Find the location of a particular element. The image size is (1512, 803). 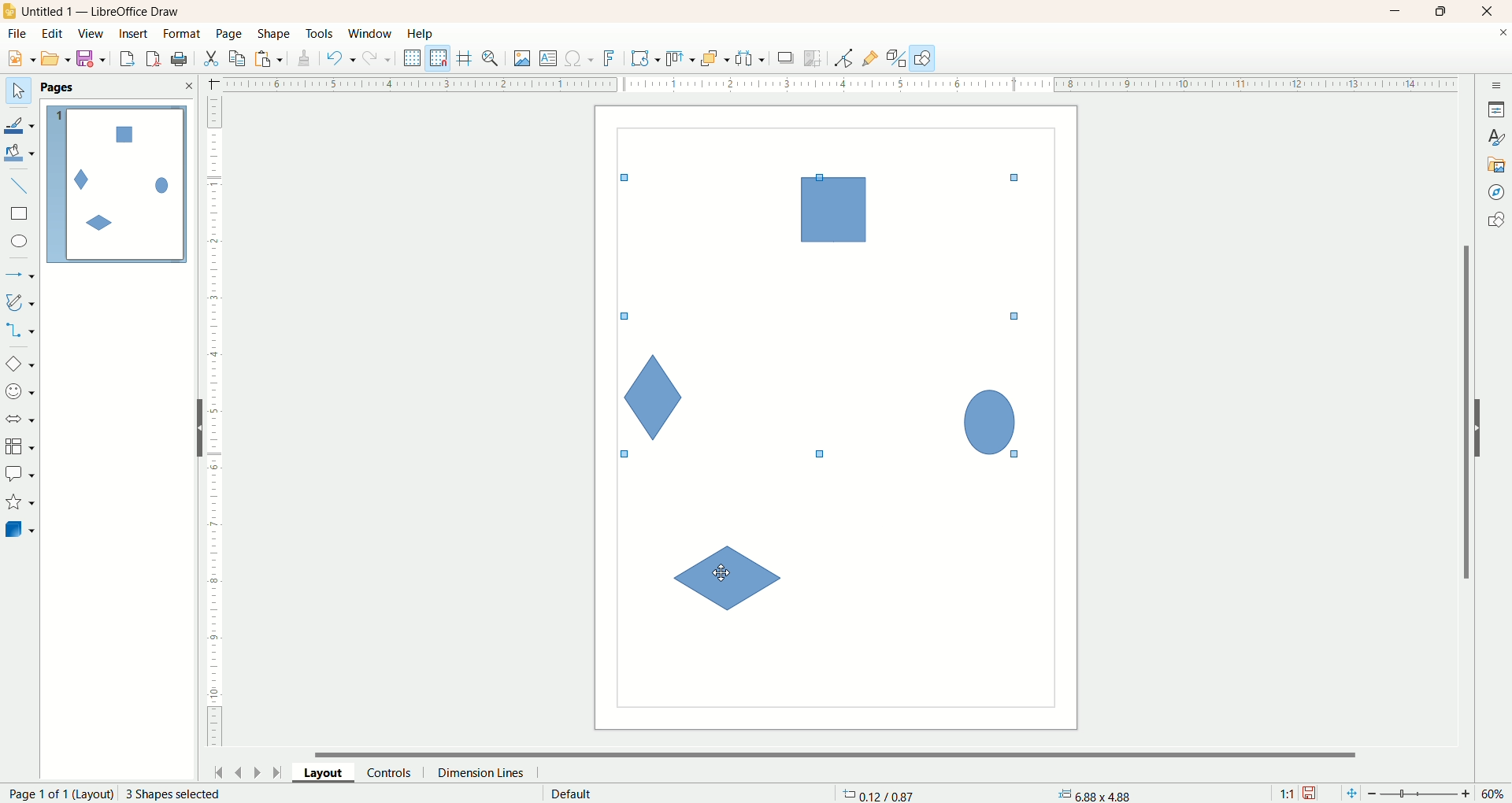

draw function is located at coordinates (923, 57).